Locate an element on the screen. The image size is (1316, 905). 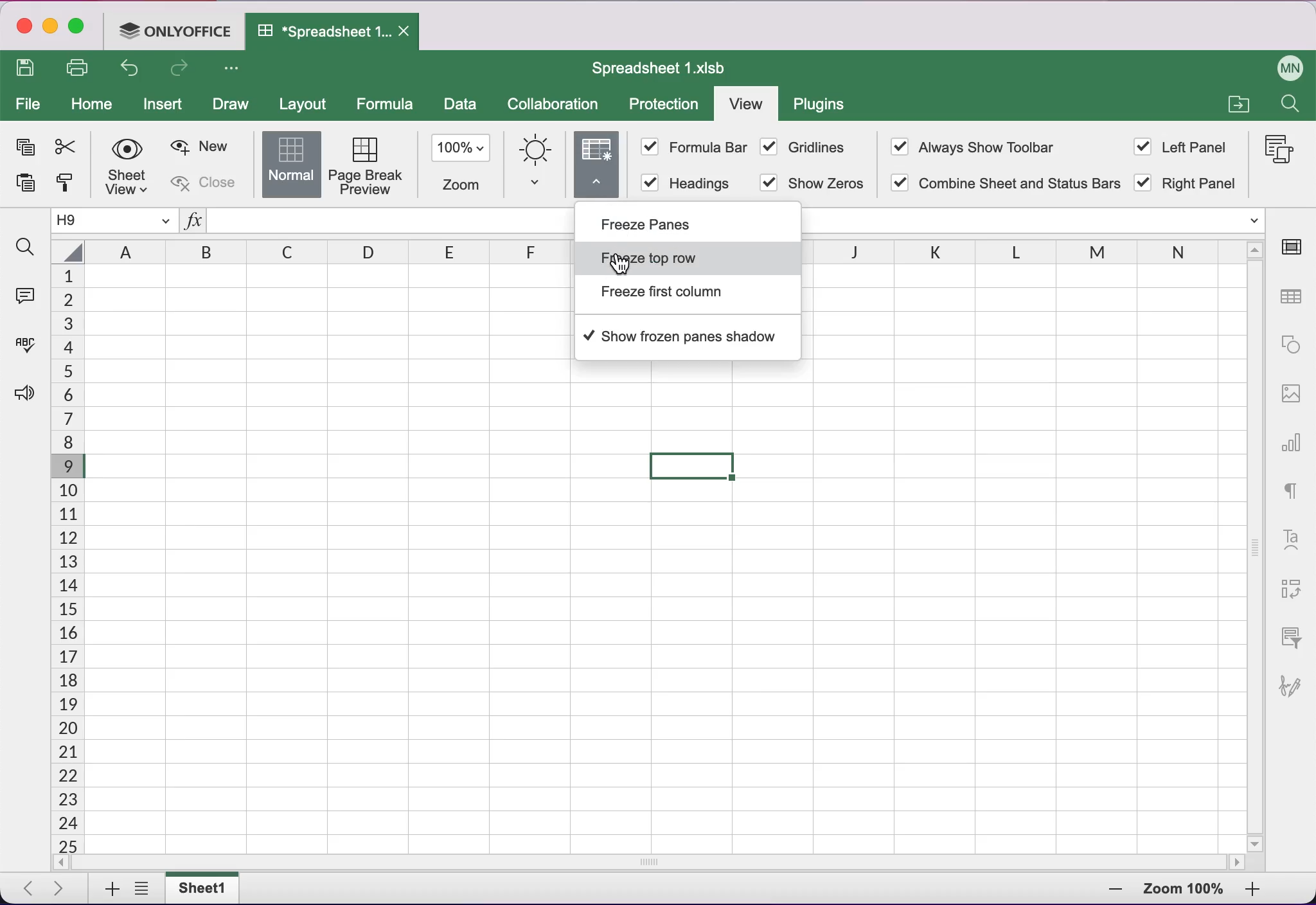
horizontal slider is located at coordinates (654, 863).